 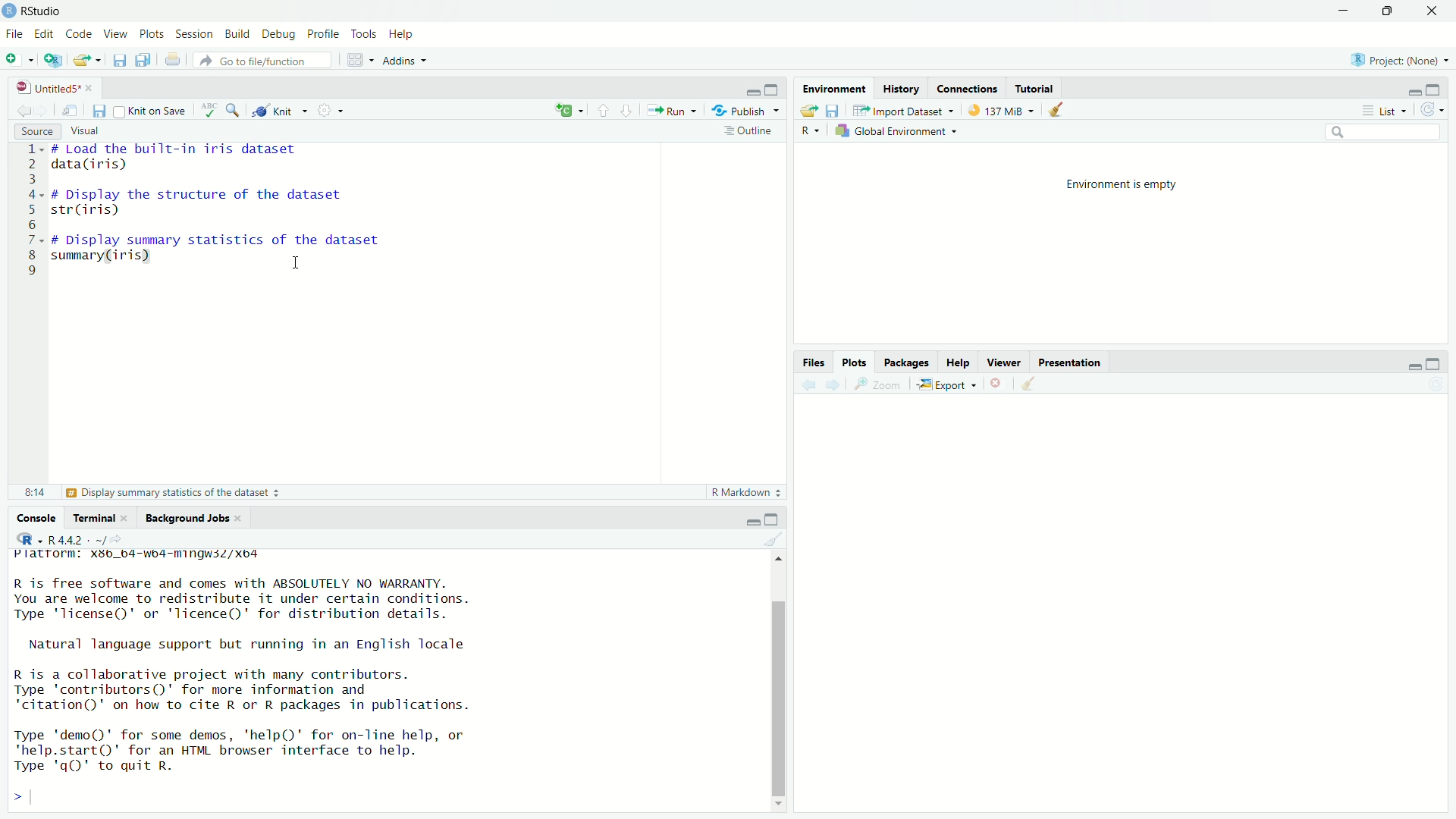 I want to click on Go to previous location, so click(x=24, y=110).